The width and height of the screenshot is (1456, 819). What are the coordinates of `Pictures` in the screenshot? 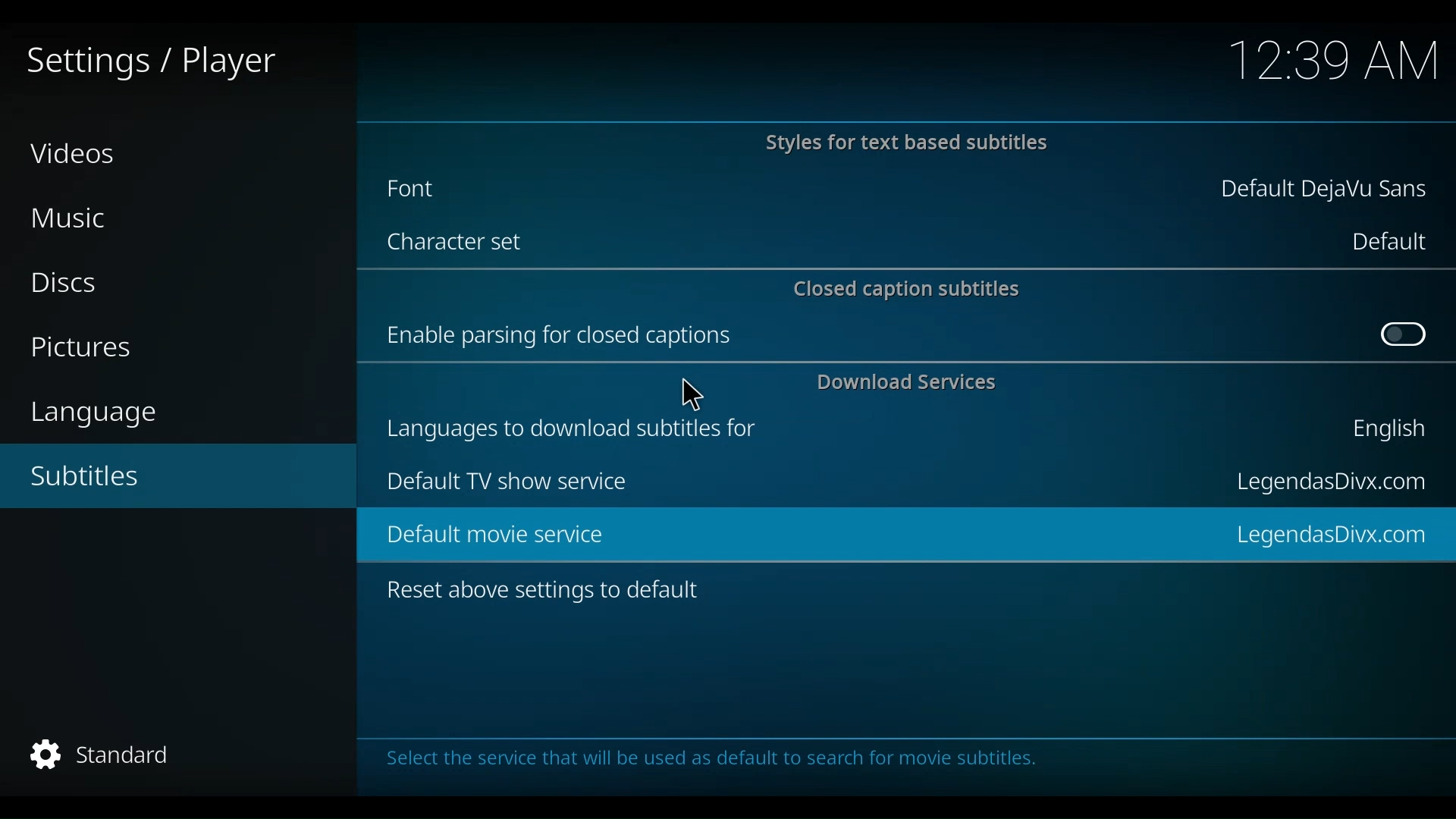 It's located at (88, 349).